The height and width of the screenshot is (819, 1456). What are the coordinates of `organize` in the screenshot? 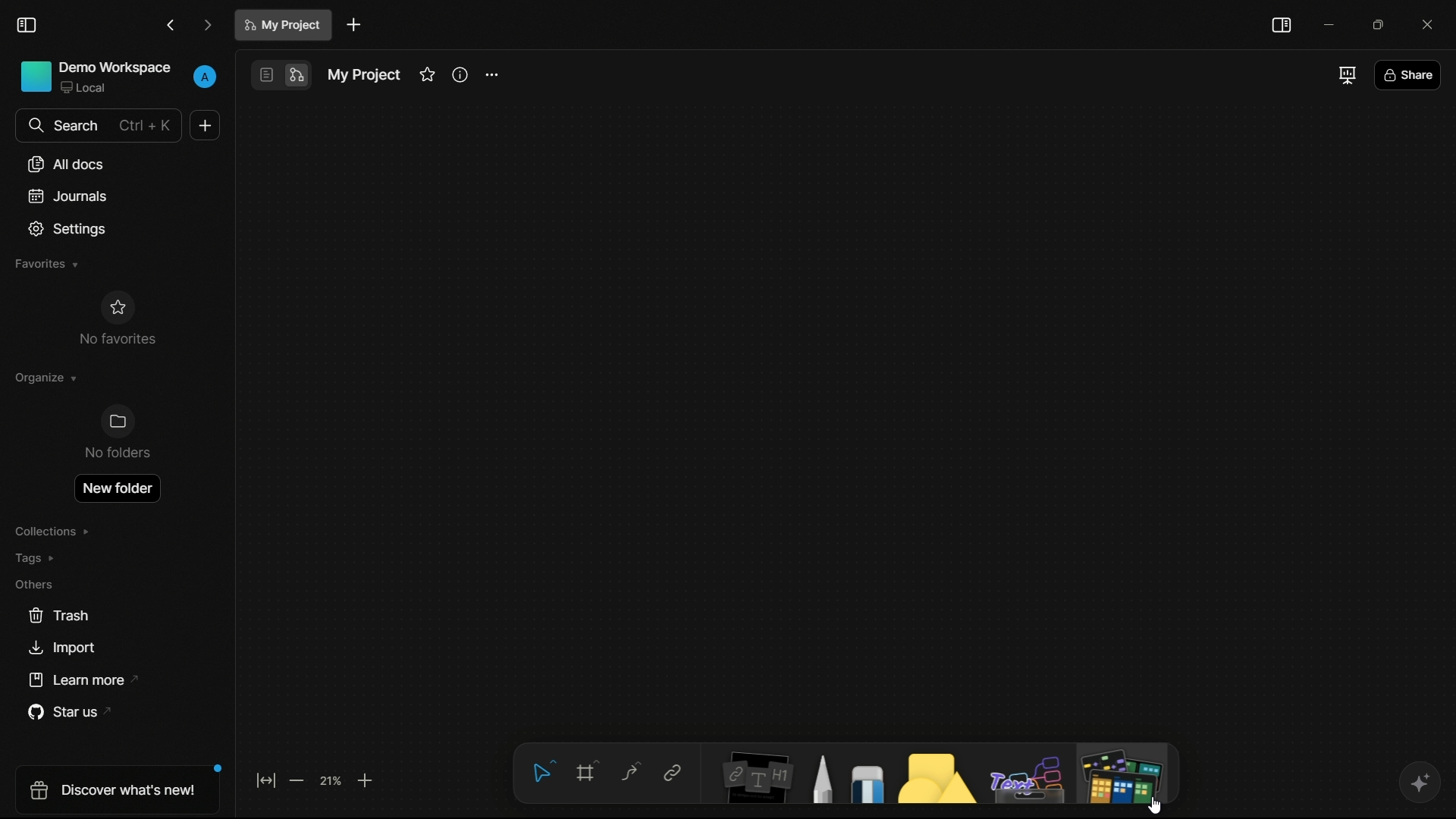 It's located at (46, 378).